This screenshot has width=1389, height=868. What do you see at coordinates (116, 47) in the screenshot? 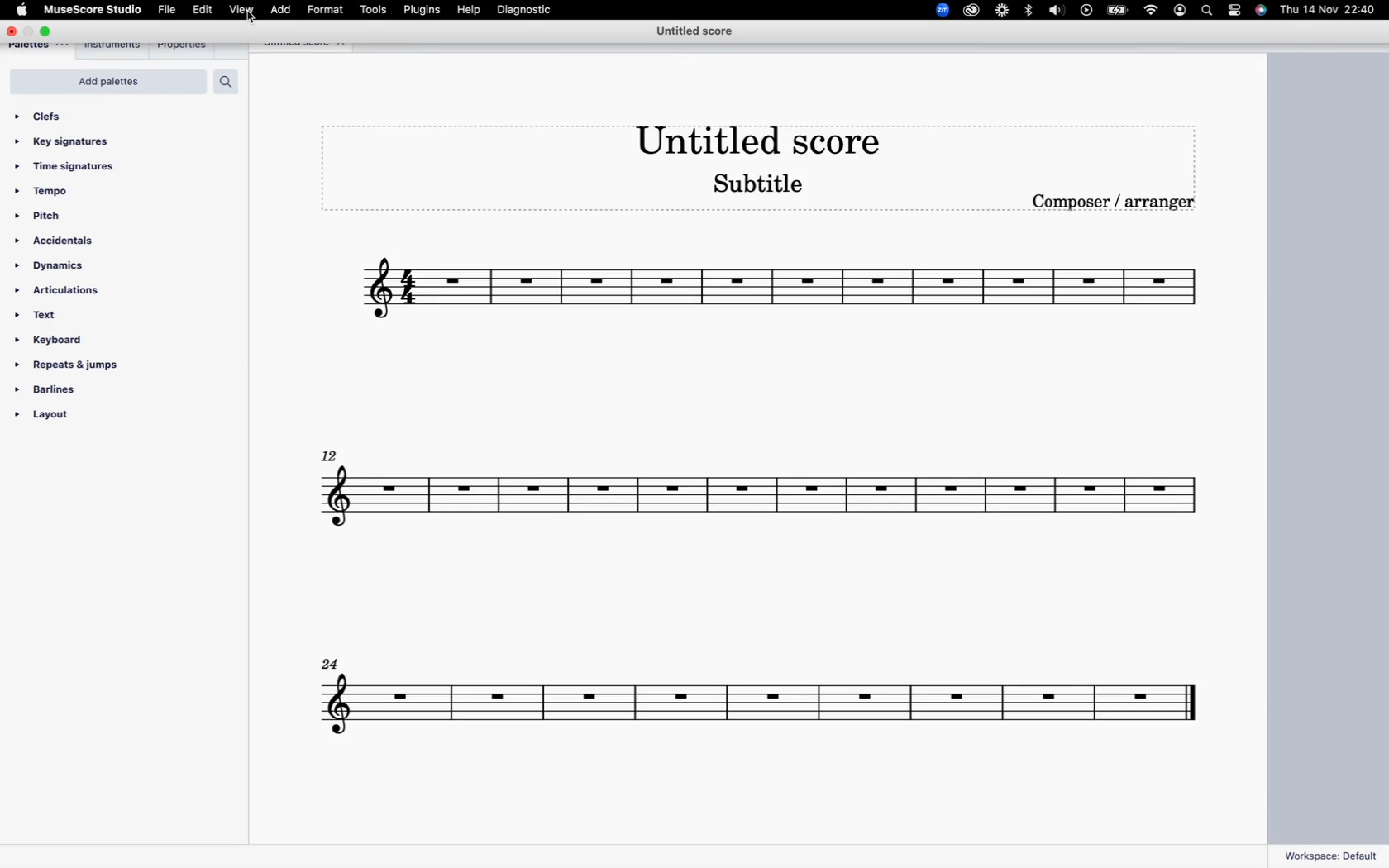
I see `instruments` at bounding box center [116, 47].